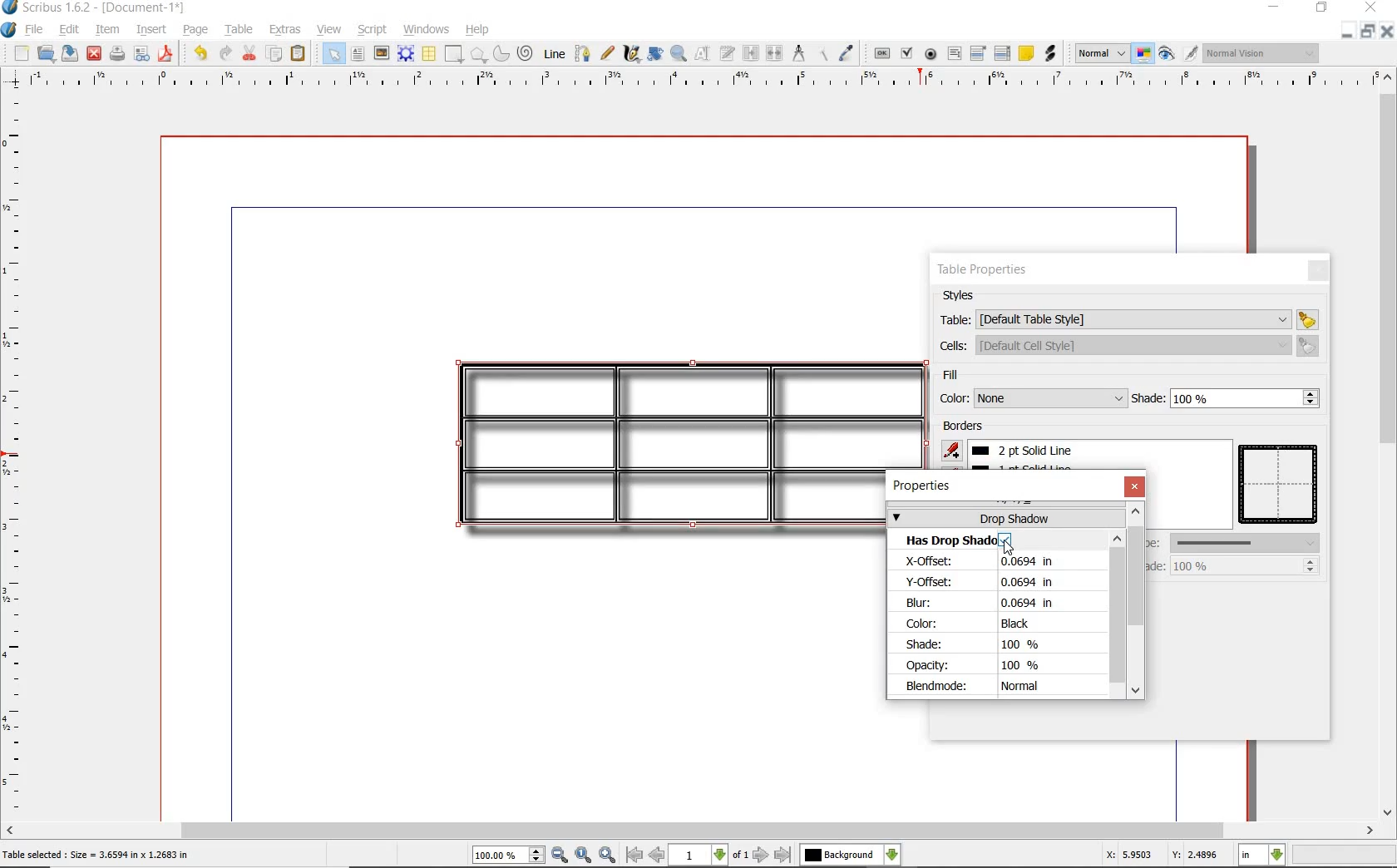 The image size is (1397, 868). Describe the element at coordinates (1344, 856) in the screenshot. I see `zoom factor` at that location.